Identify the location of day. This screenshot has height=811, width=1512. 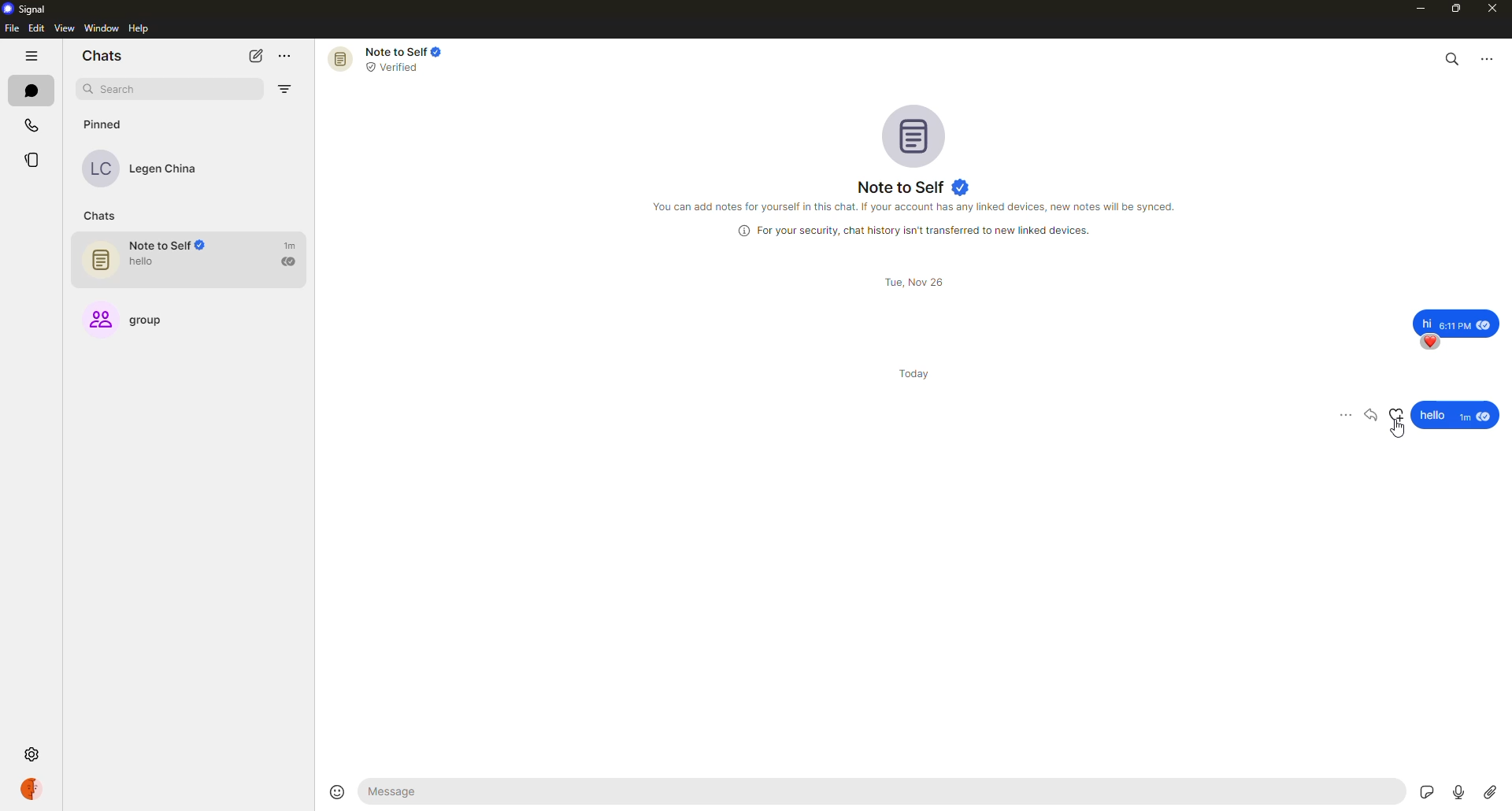
(918, 364).